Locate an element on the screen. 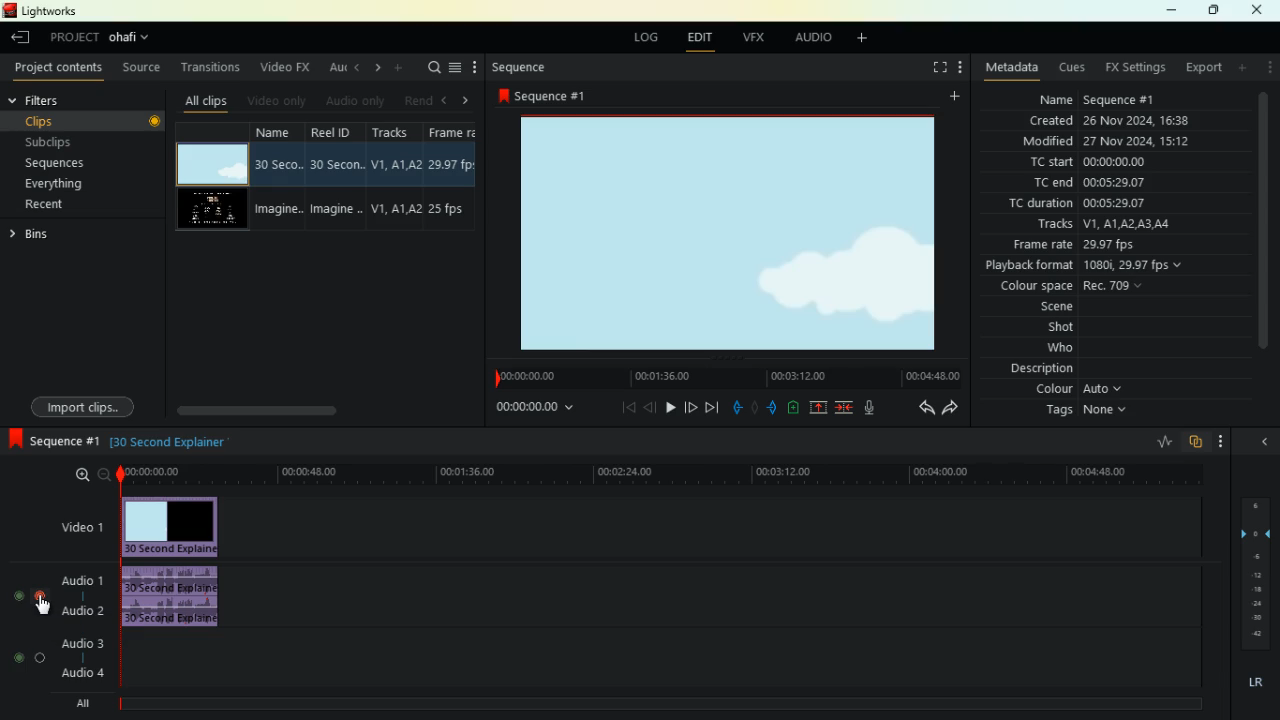  audio clip added to timeline is located at coordinates (172, 594).